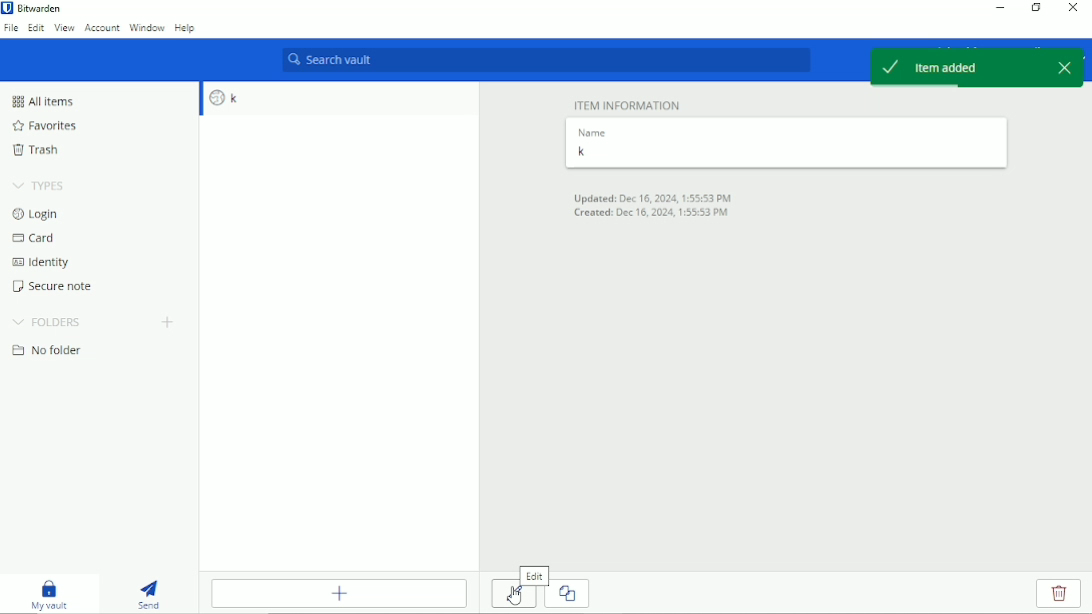 Image resolution: width=1092 pixels, height=614 pixels. I want to click on View, so click(64, 30).